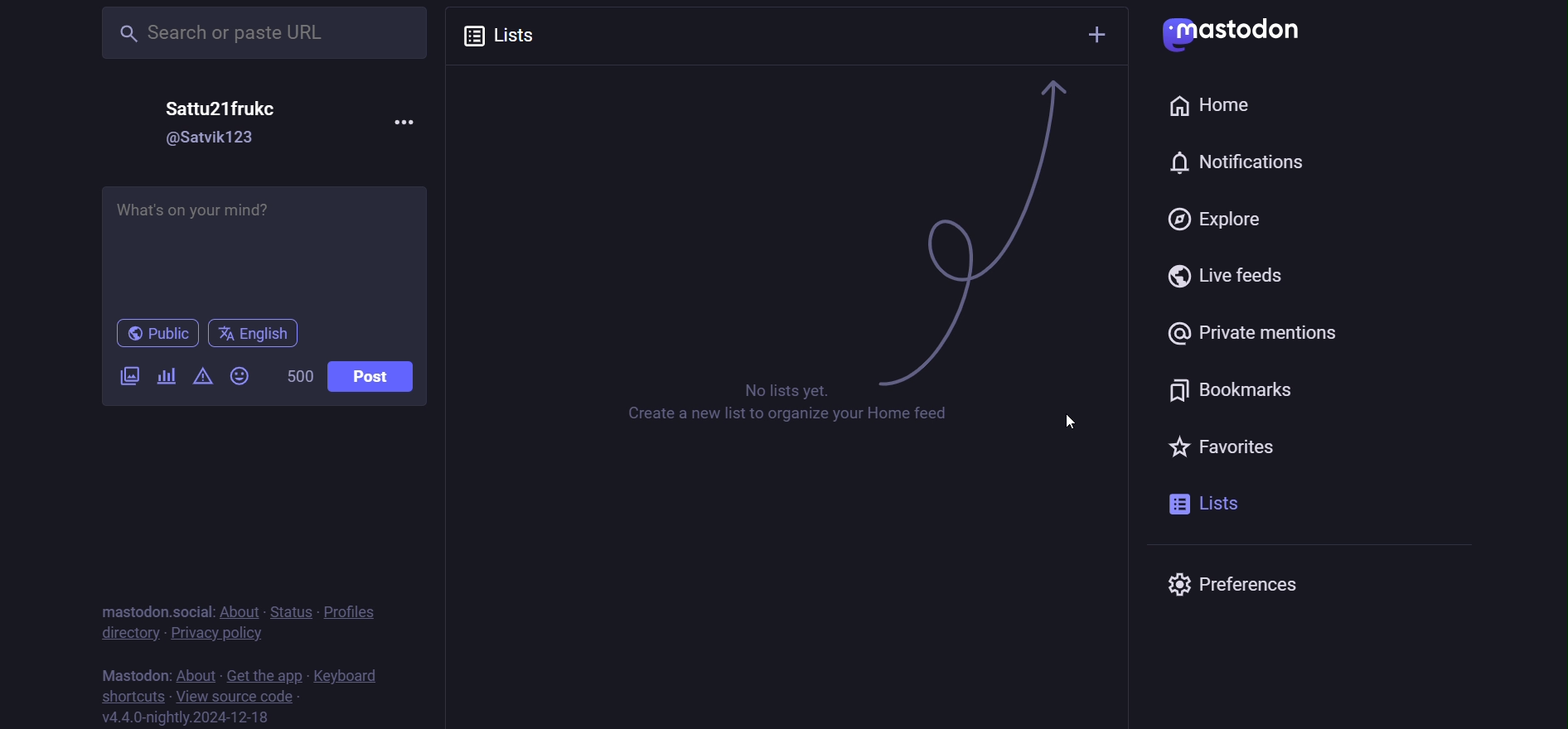  What do you see at coordinates (1161, 162) in the screenshot?
I see `notification` at bounding box center [1161, 162].